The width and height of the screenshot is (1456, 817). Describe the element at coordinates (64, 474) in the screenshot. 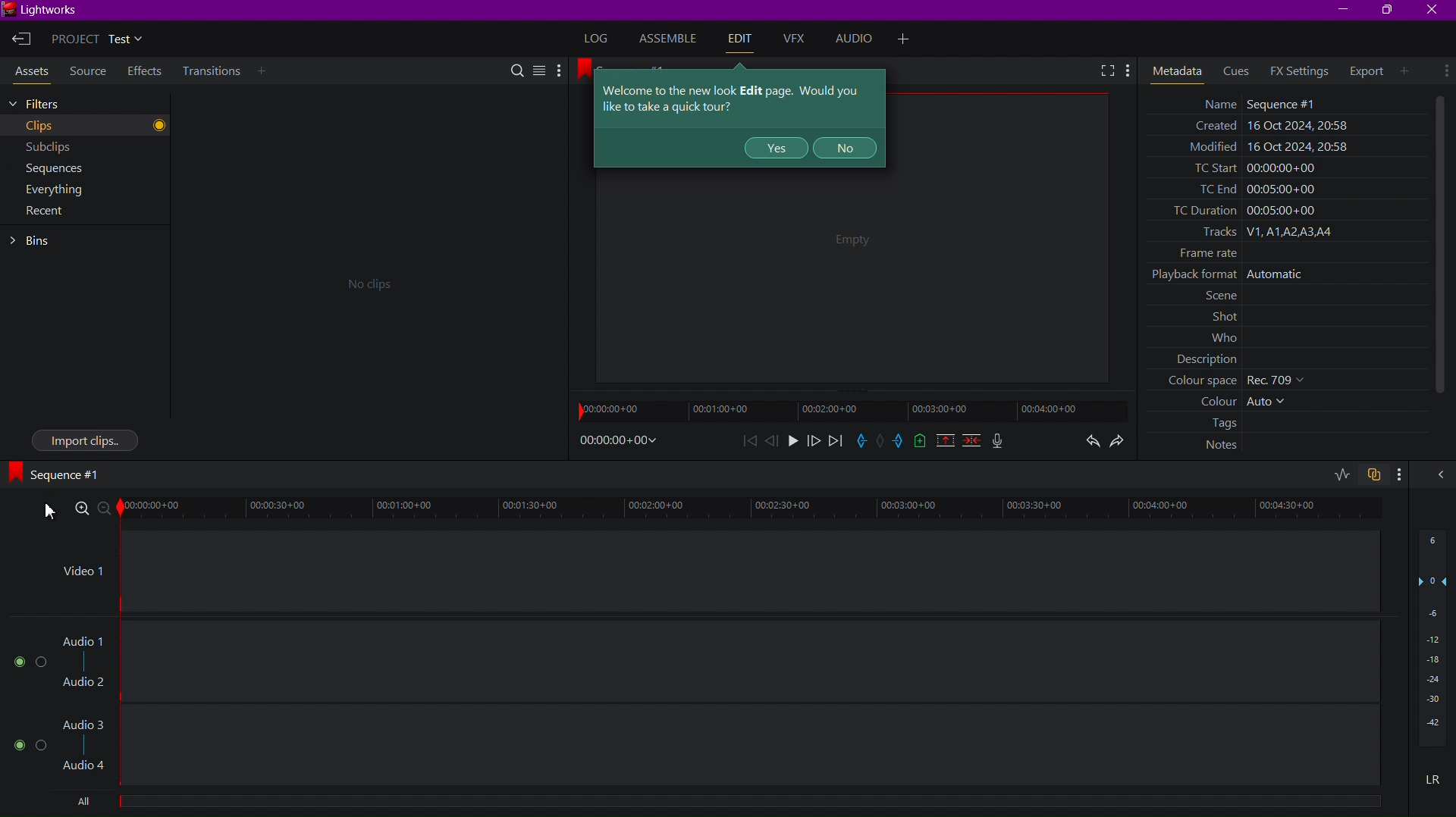

I see `Sequence #1` at that location.